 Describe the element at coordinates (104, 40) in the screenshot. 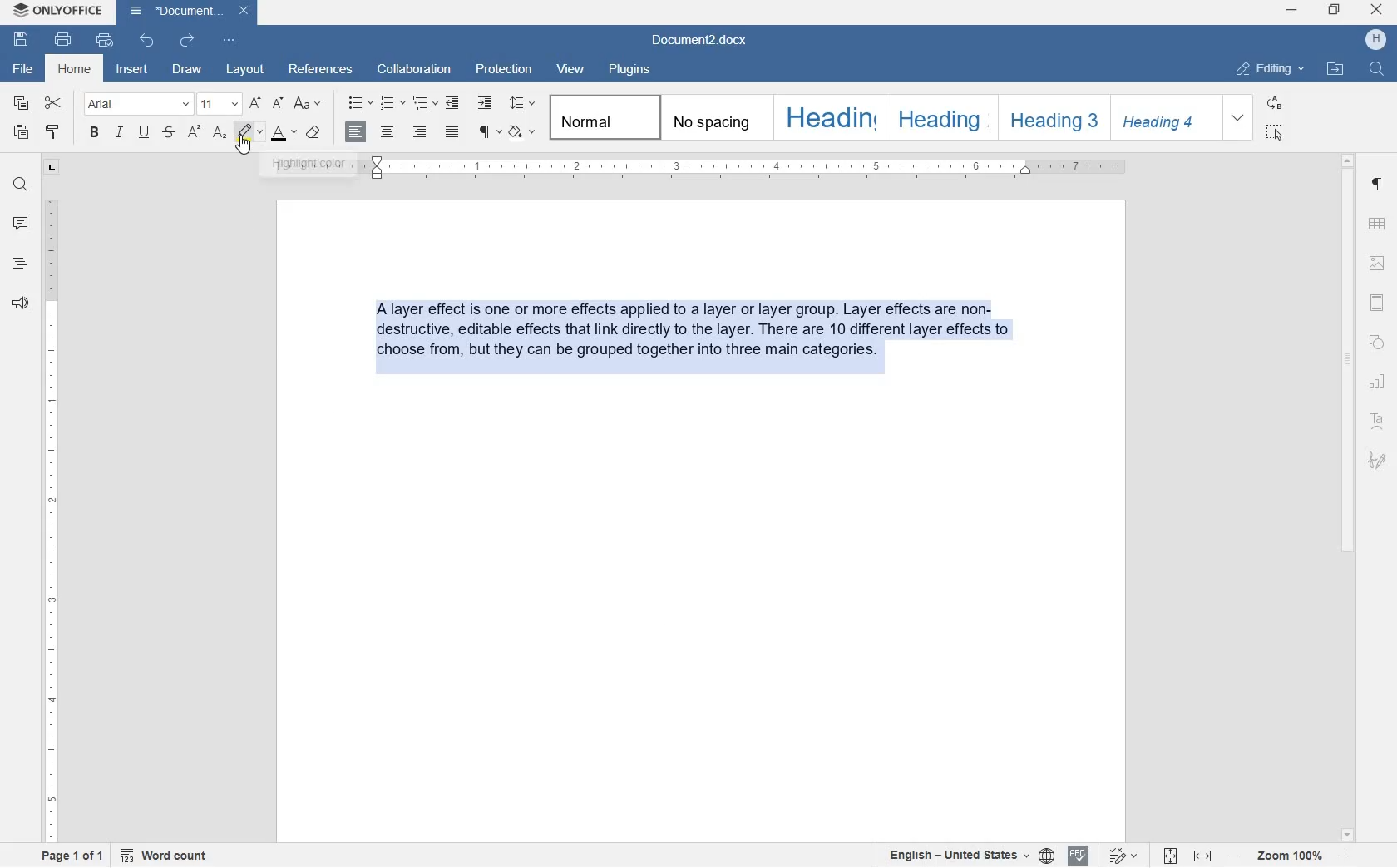

I see `QUICK PRINT` at that location.